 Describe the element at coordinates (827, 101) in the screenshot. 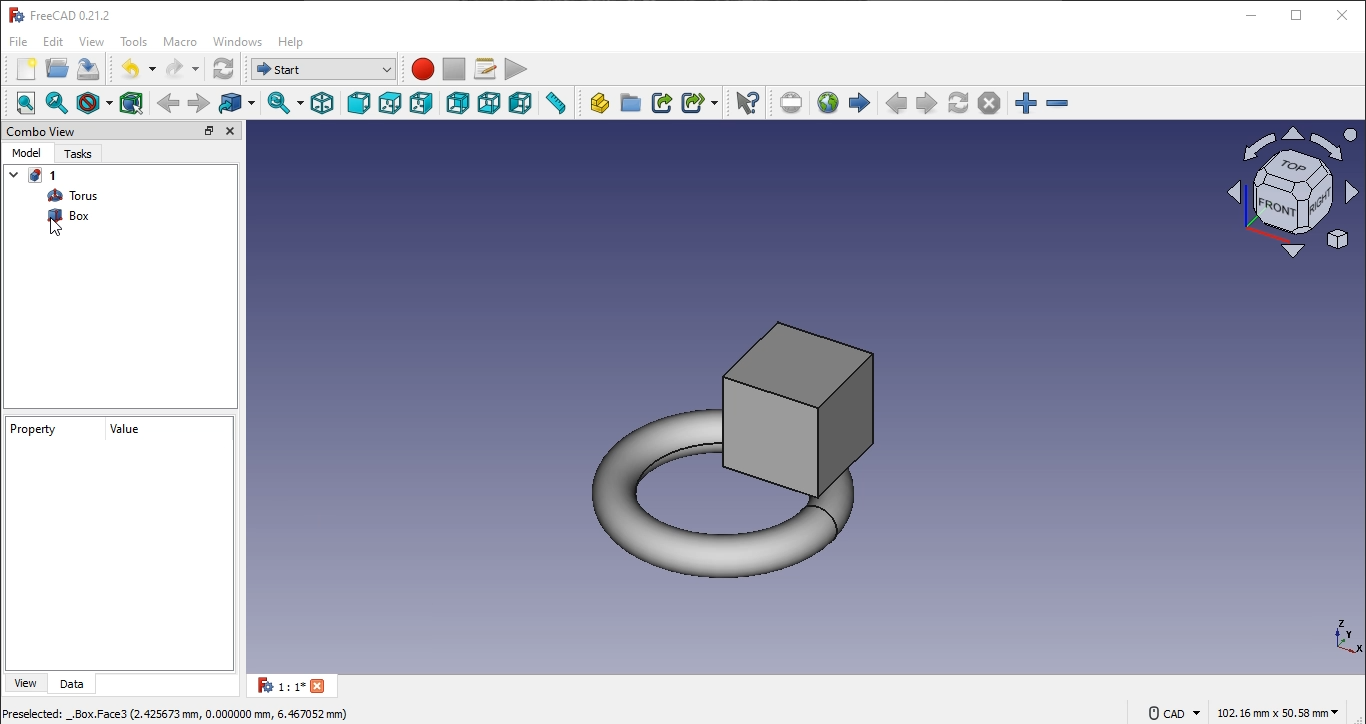

I see `open website` at that location.